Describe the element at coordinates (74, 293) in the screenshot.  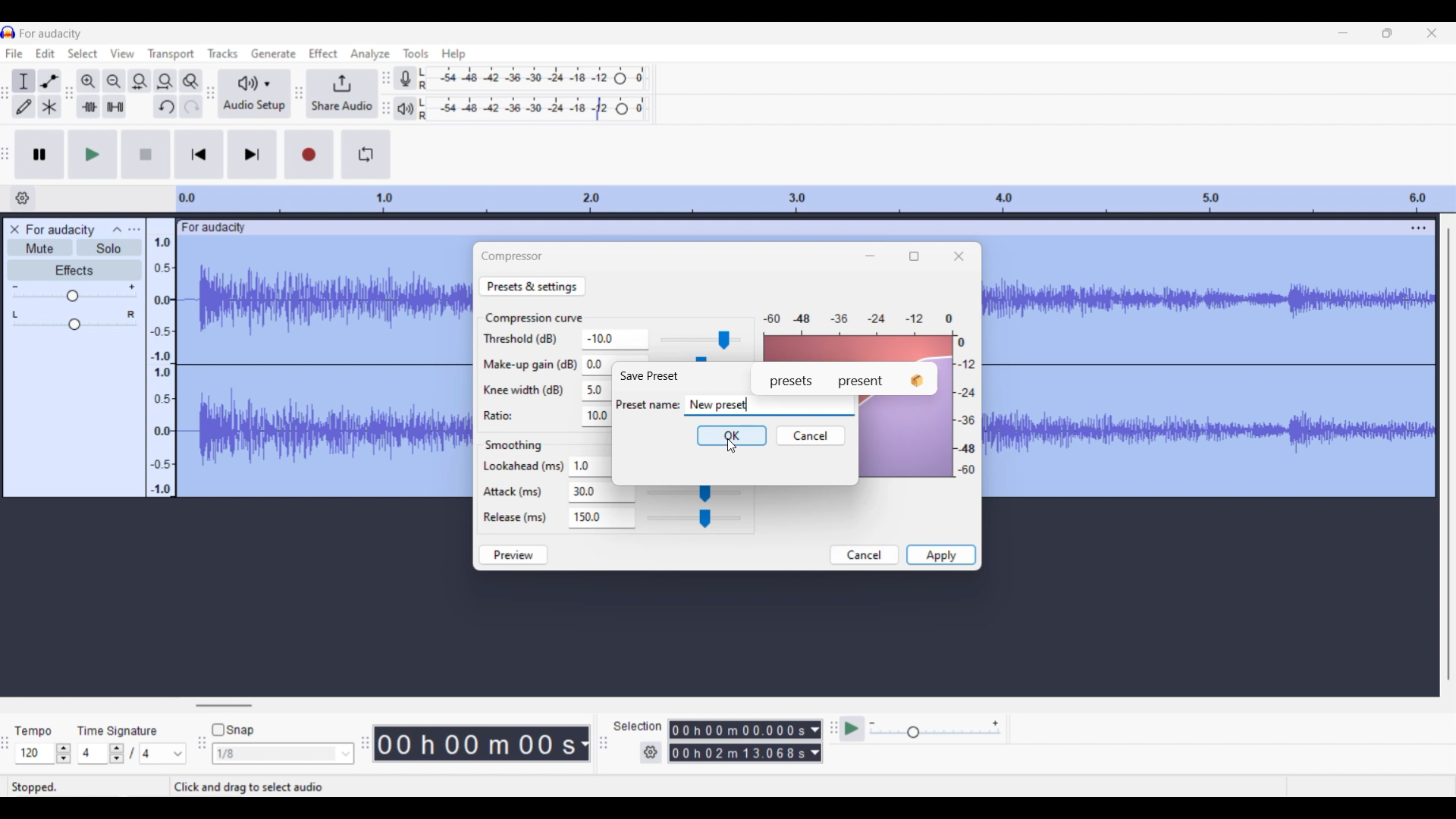
I see `Volume slide` at that location.